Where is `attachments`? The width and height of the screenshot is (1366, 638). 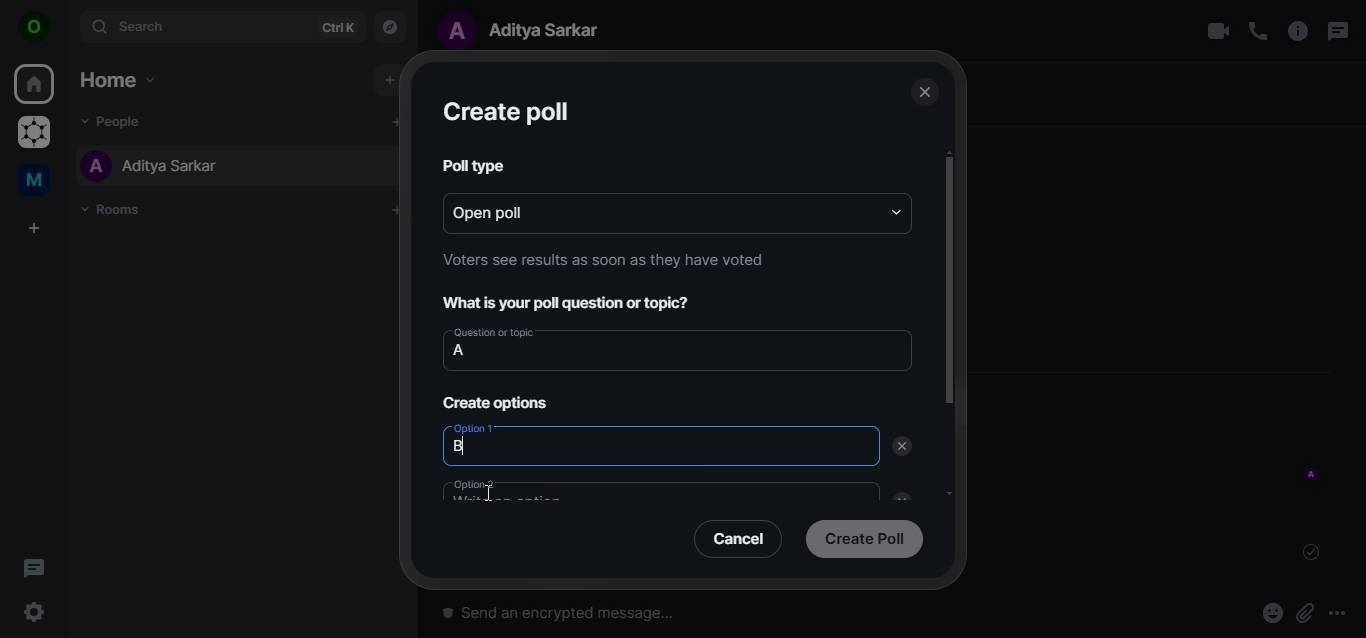
attachments is located at coordinates (1305, 614).